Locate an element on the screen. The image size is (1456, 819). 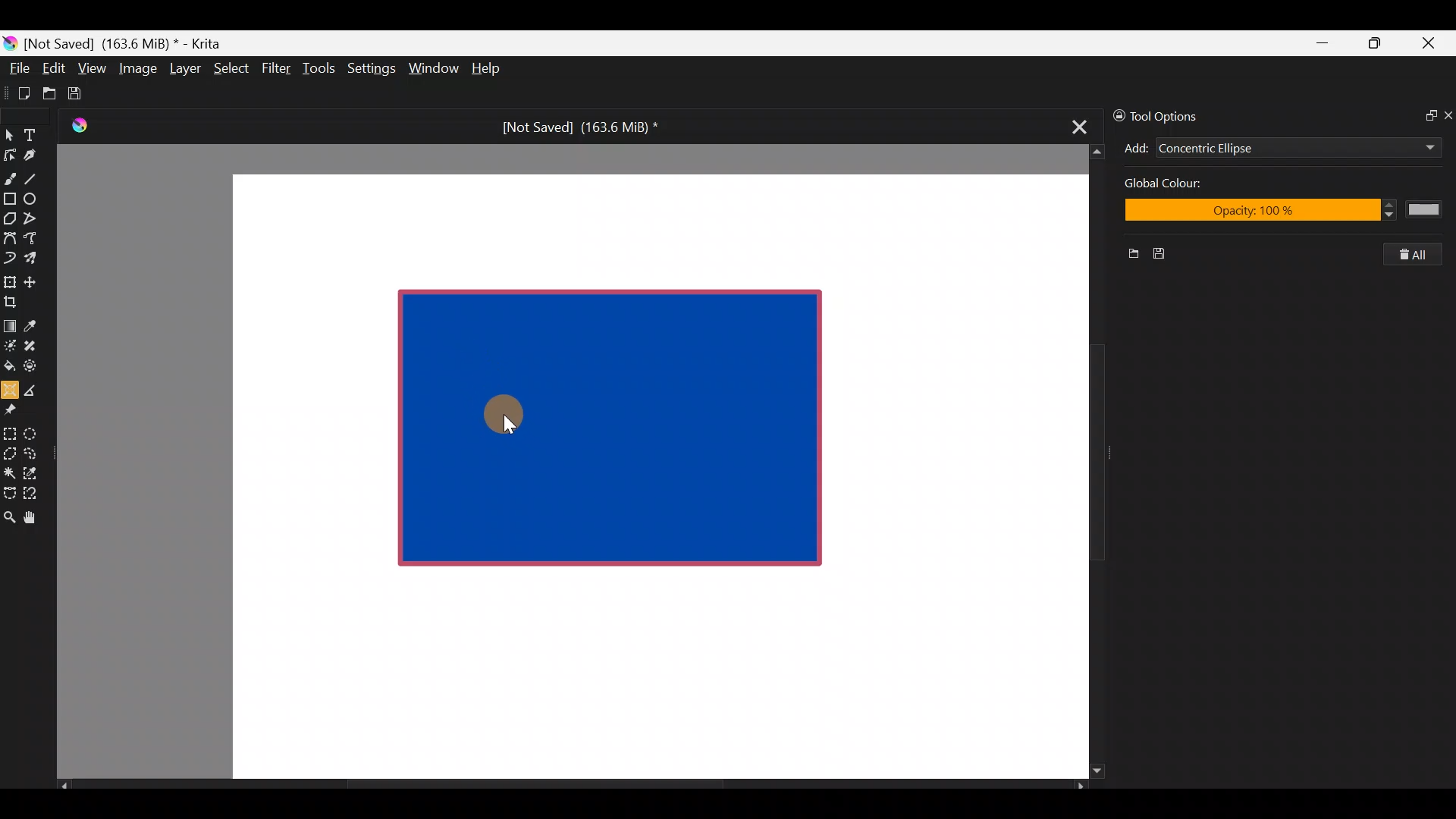
Freehand path tool is located at coordinates (38, 240).